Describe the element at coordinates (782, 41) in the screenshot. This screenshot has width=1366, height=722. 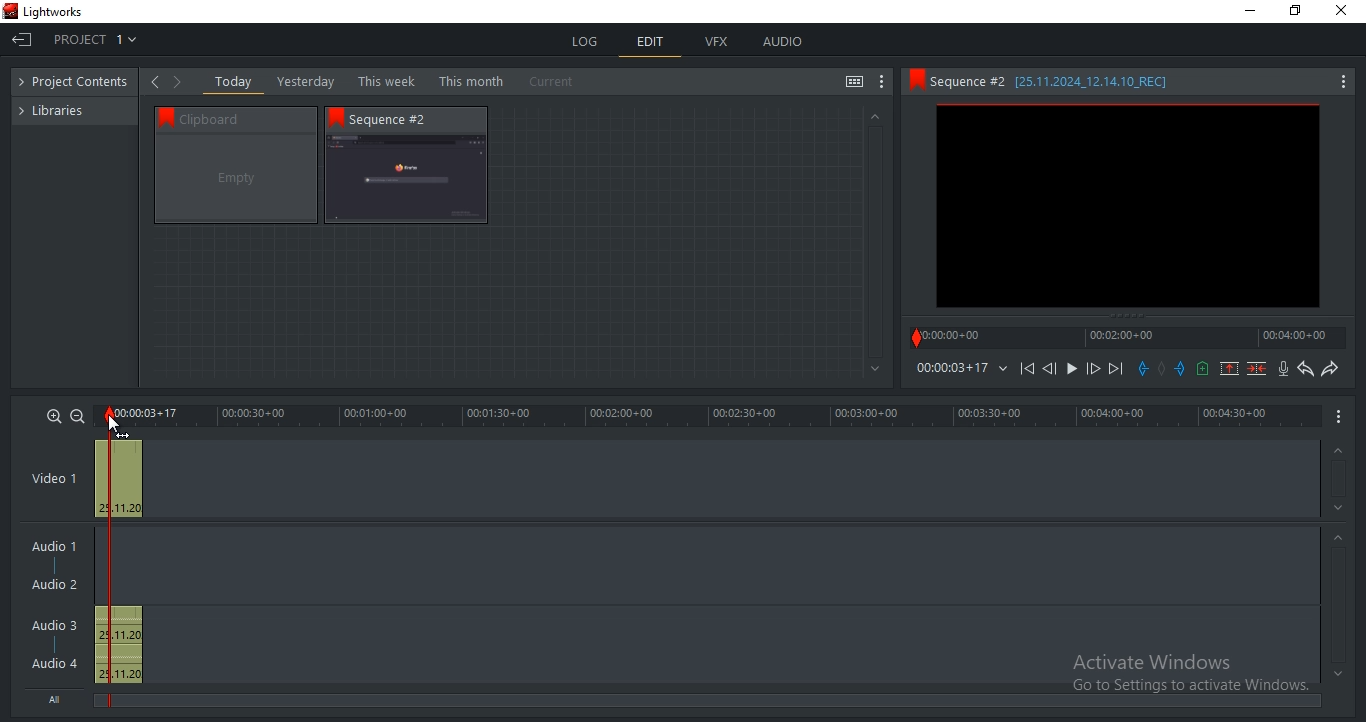
I see `audio` at that location.